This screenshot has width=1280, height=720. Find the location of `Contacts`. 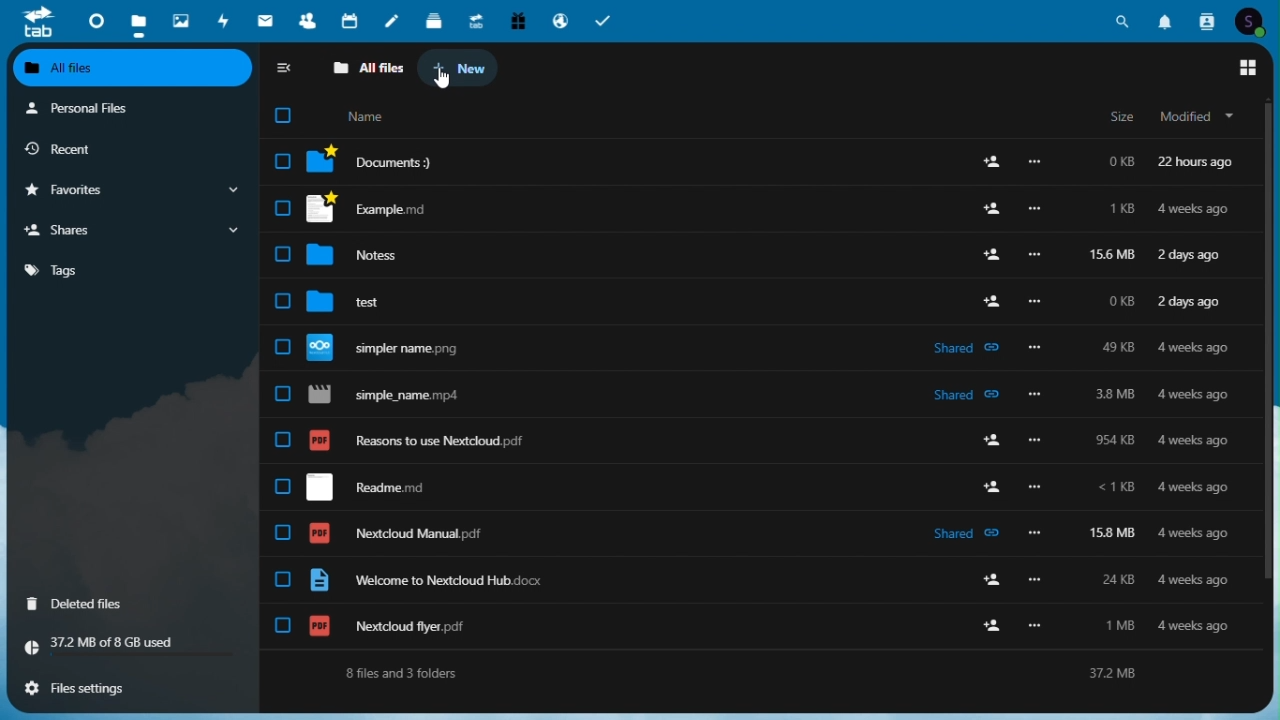

Contacts is located at coordinates (307, 21).